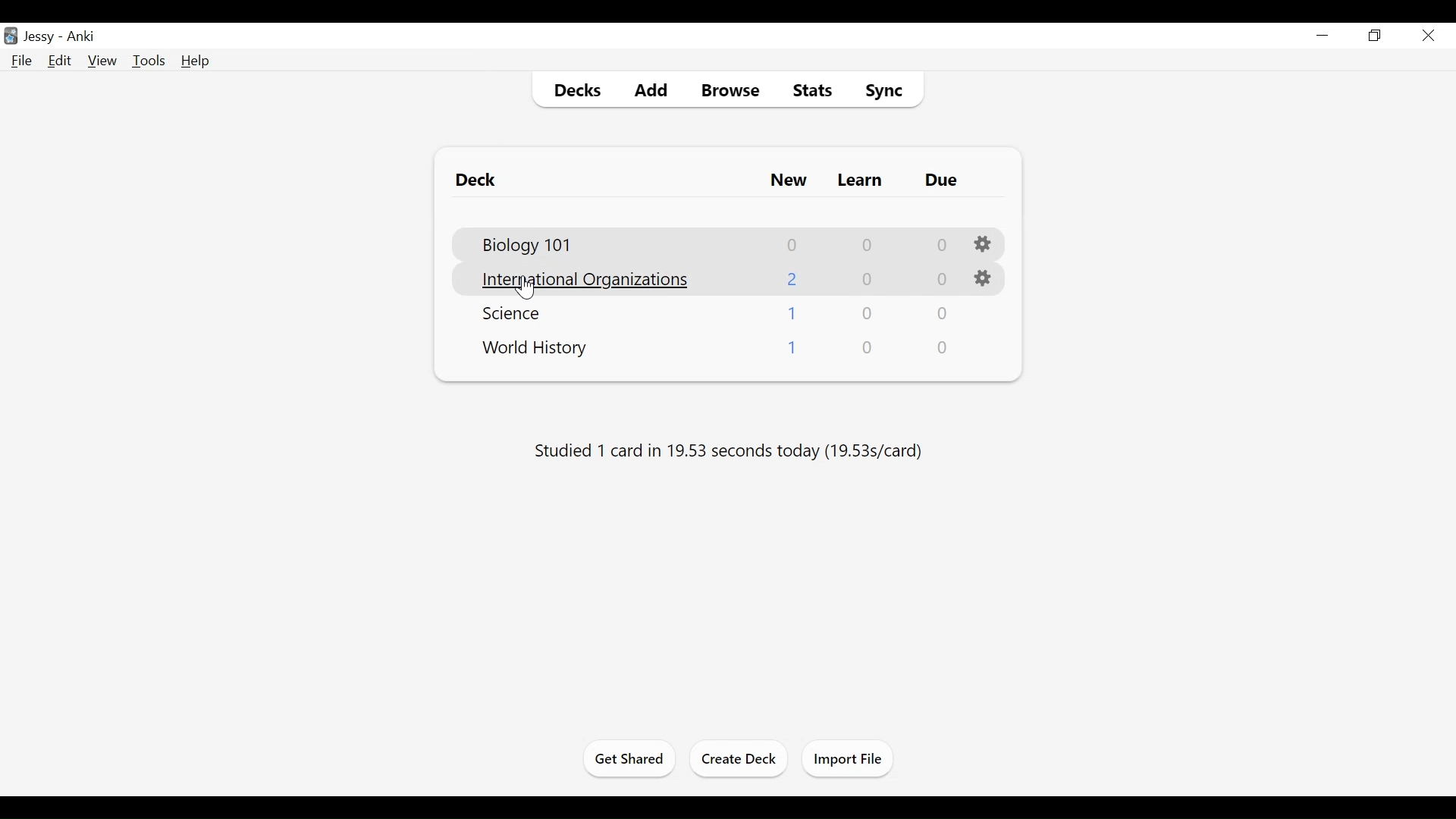  What do you see at coordinates (195, 61) in the screenshot?
I see `Help` at bounding box center [195, 61].